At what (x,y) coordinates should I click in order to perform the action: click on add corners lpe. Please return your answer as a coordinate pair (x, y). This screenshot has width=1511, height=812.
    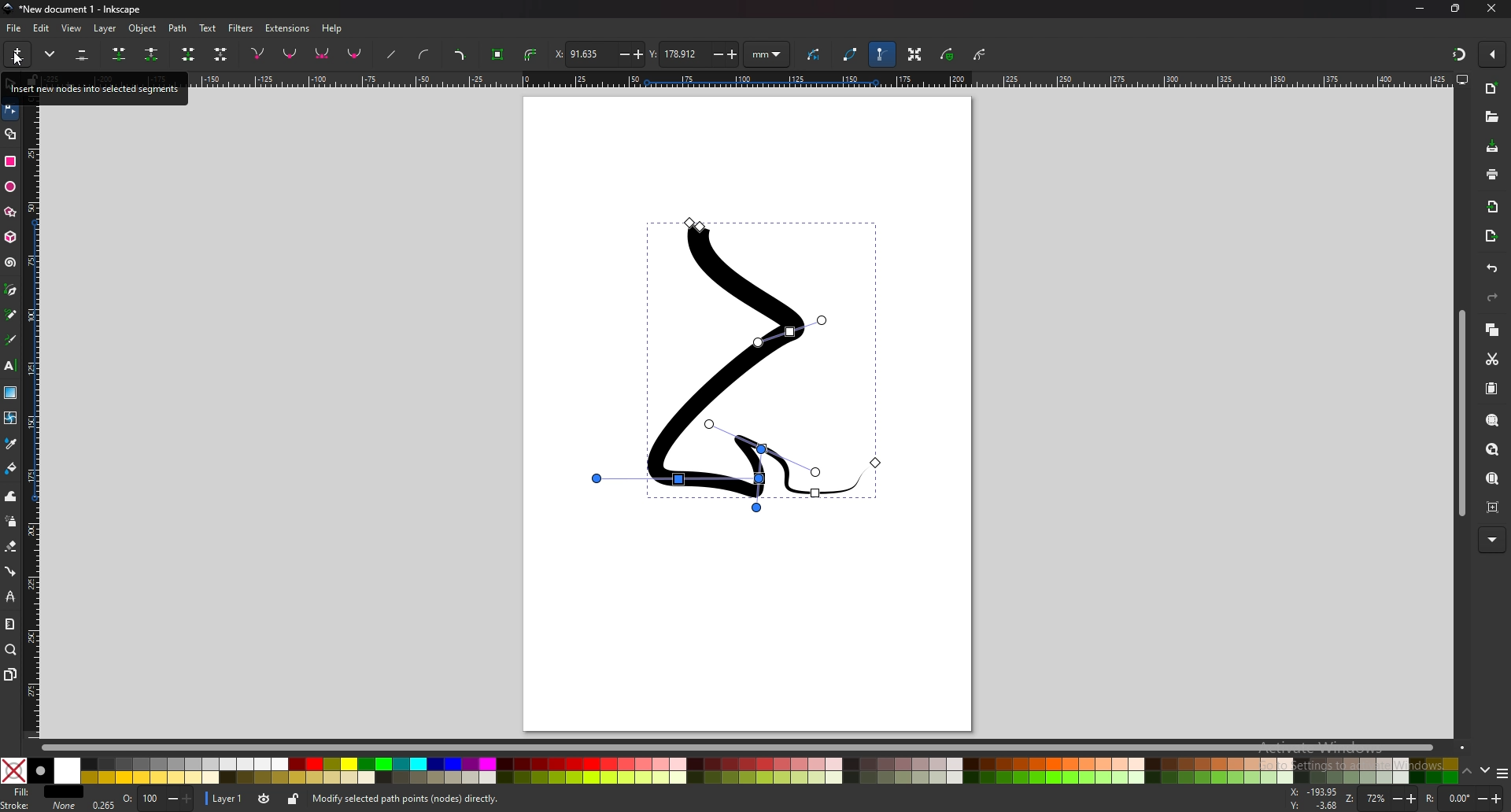
    Looking at the image, I should click on (461, 54).